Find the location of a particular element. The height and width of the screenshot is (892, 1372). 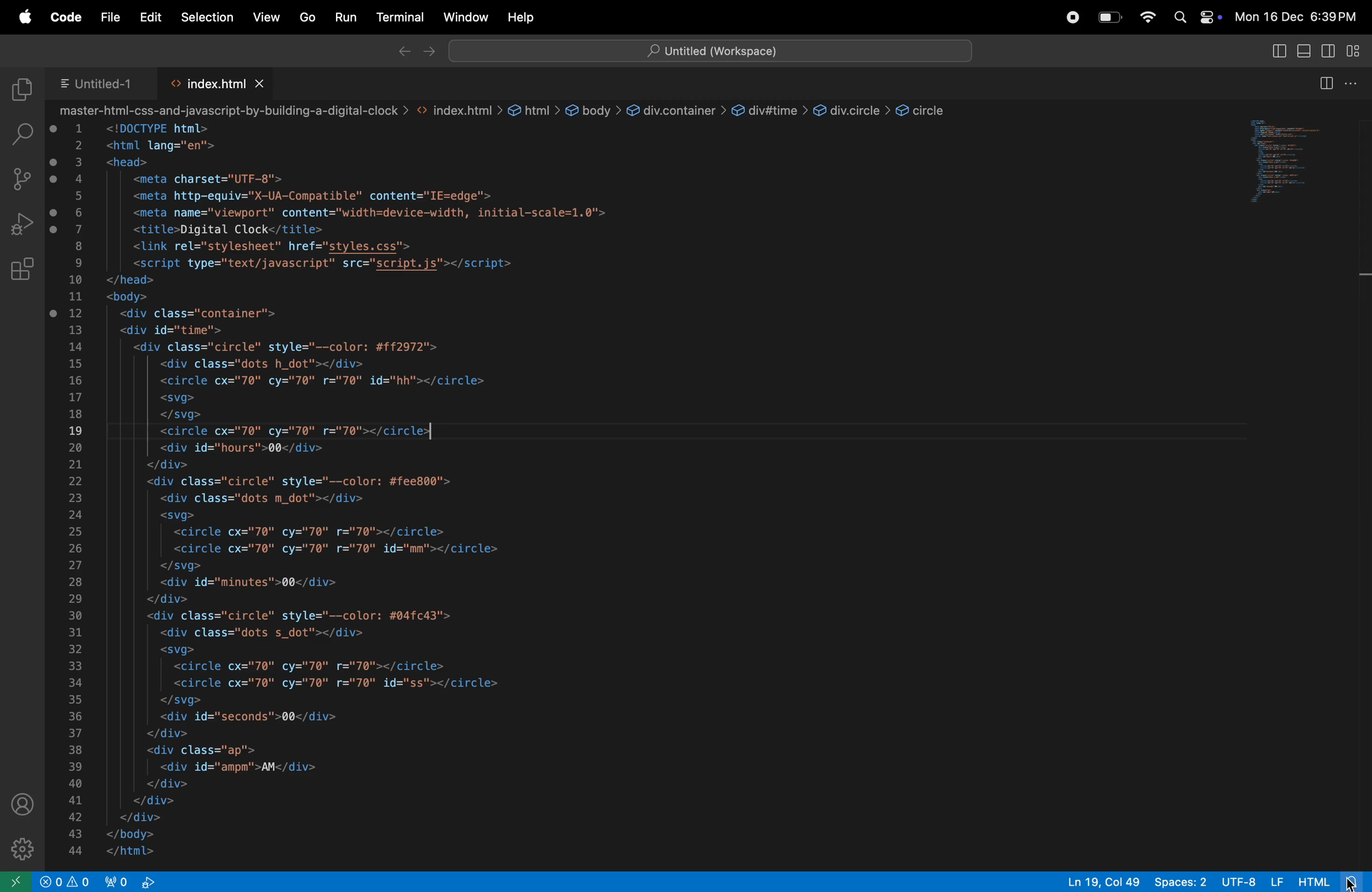

cursor is located at coordinates (1355, 884).